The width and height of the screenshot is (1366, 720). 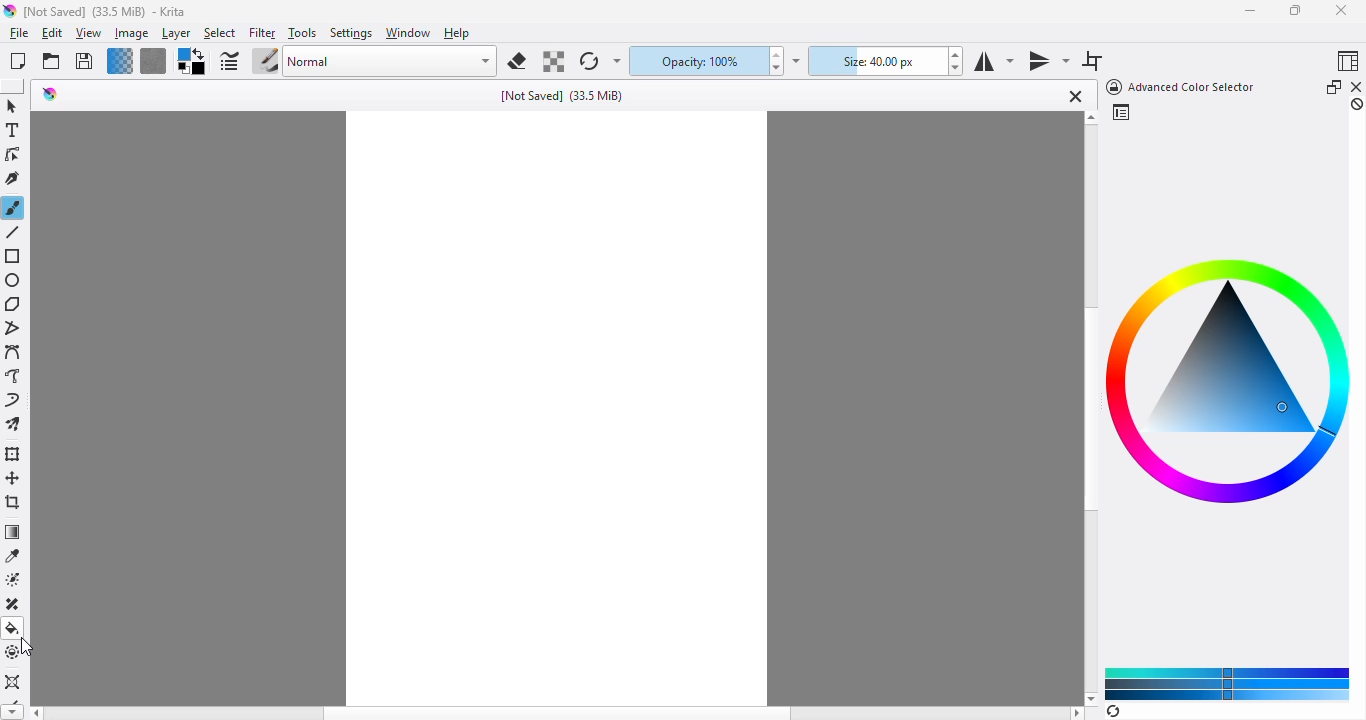 I want to click on image, so click(x=132, y=34).